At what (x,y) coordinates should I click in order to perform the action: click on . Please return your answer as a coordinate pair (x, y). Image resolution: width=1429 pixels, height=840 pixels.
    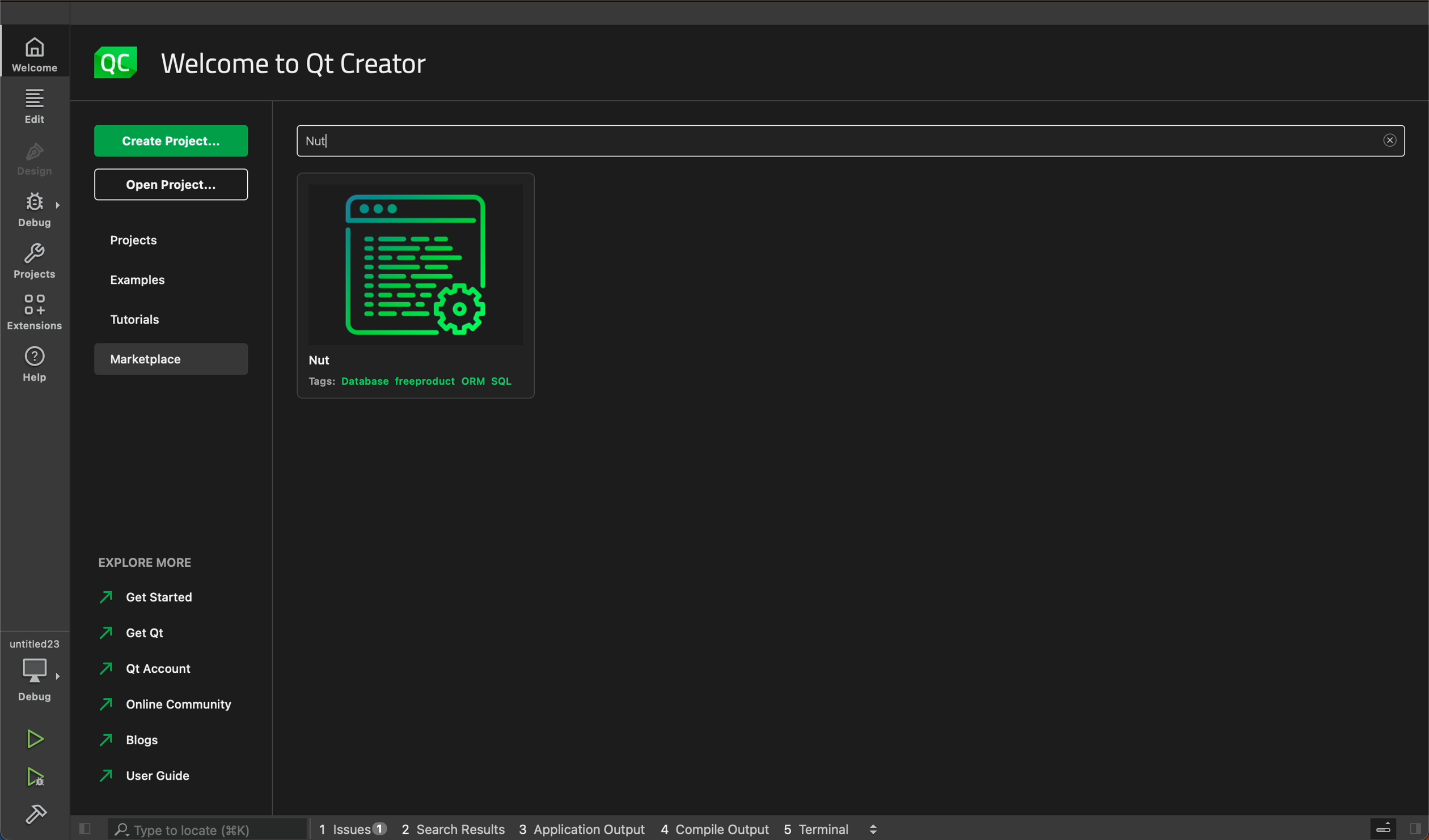
    Looking at the image, I should click on (851, 141).